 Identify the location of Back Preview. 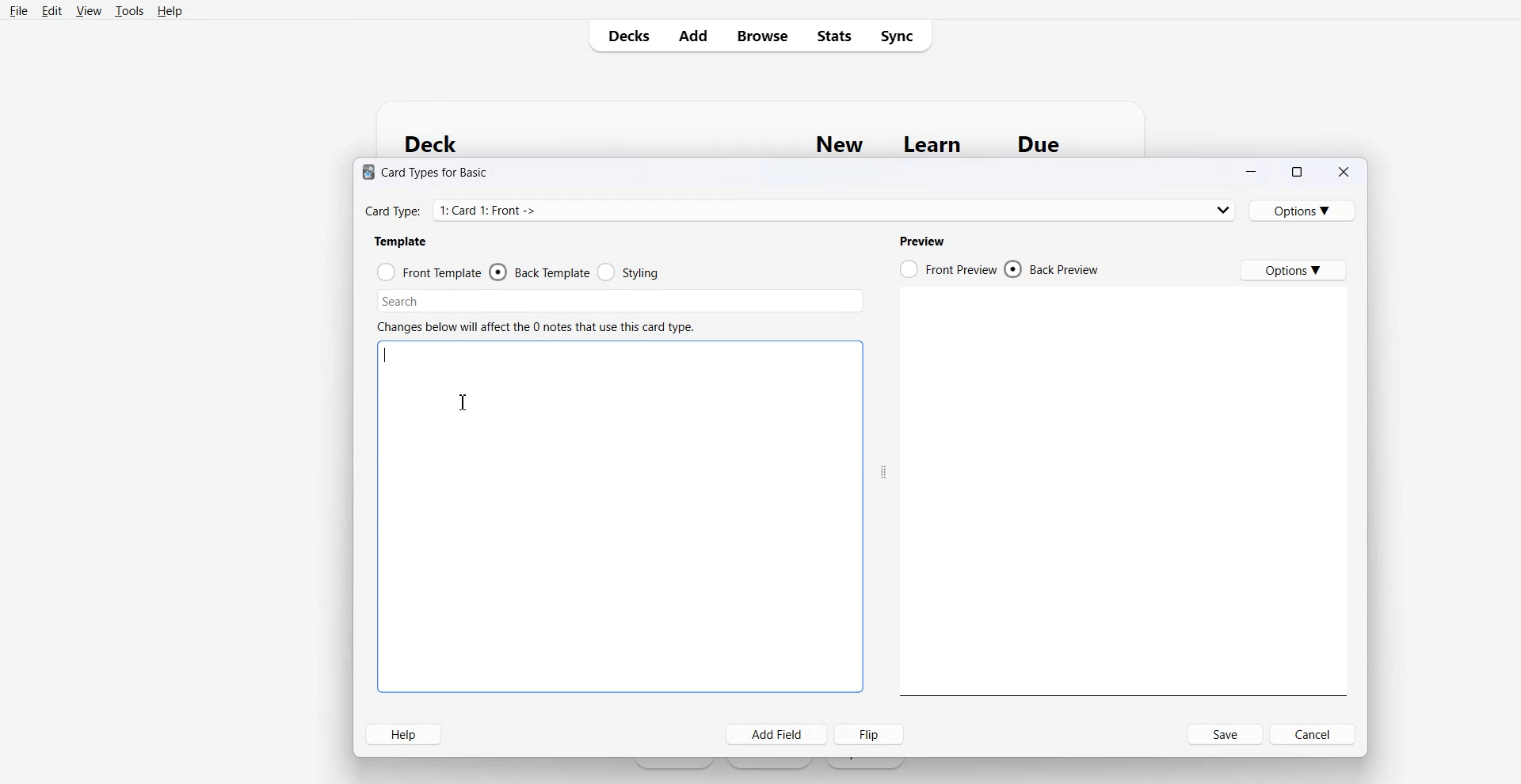
(1056, 267).